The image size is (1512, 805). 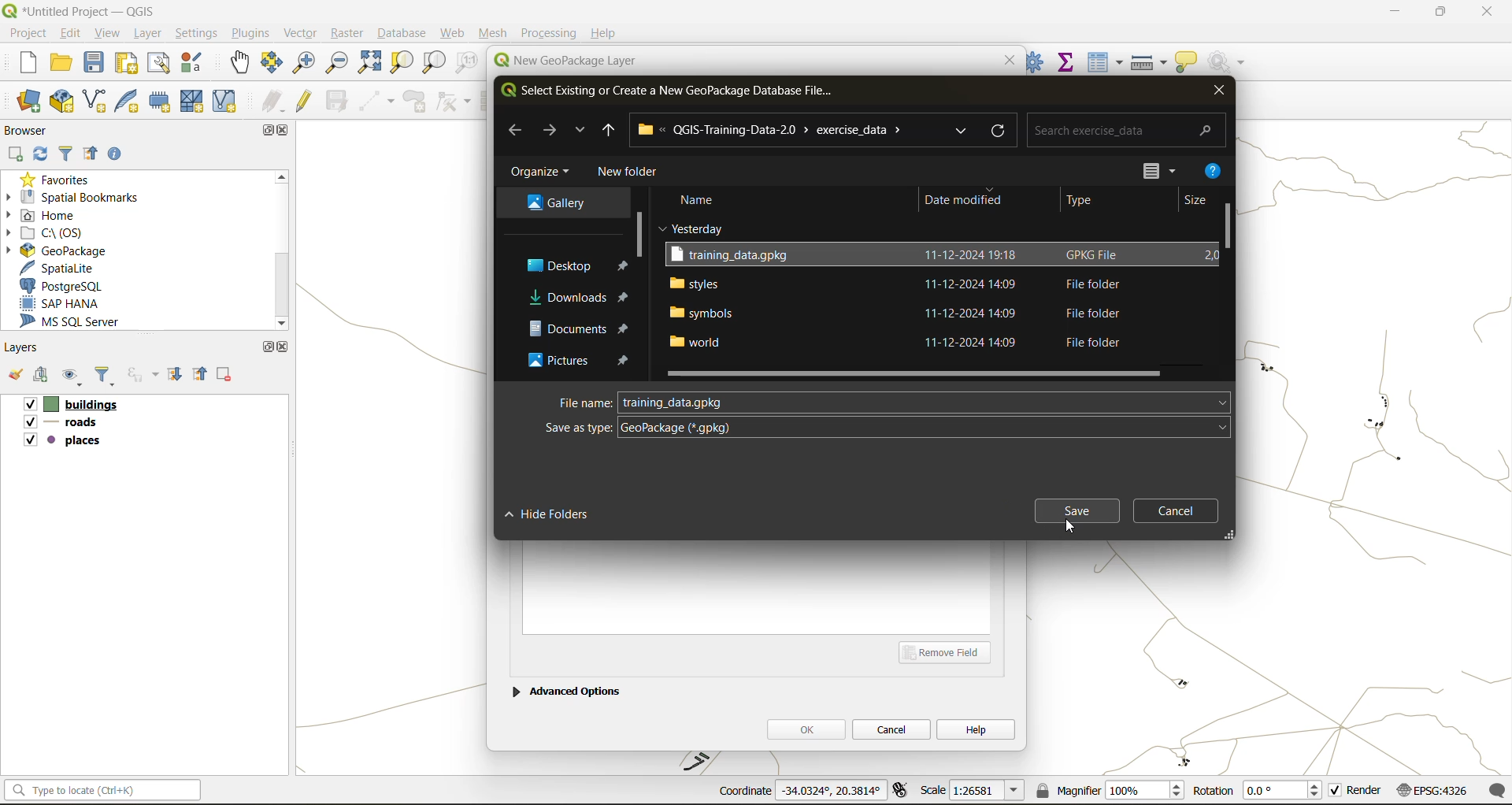 What do you see at coordinates (1141, 167) in the screenshot?
I see `menu` at bounding box center [1141, 167].